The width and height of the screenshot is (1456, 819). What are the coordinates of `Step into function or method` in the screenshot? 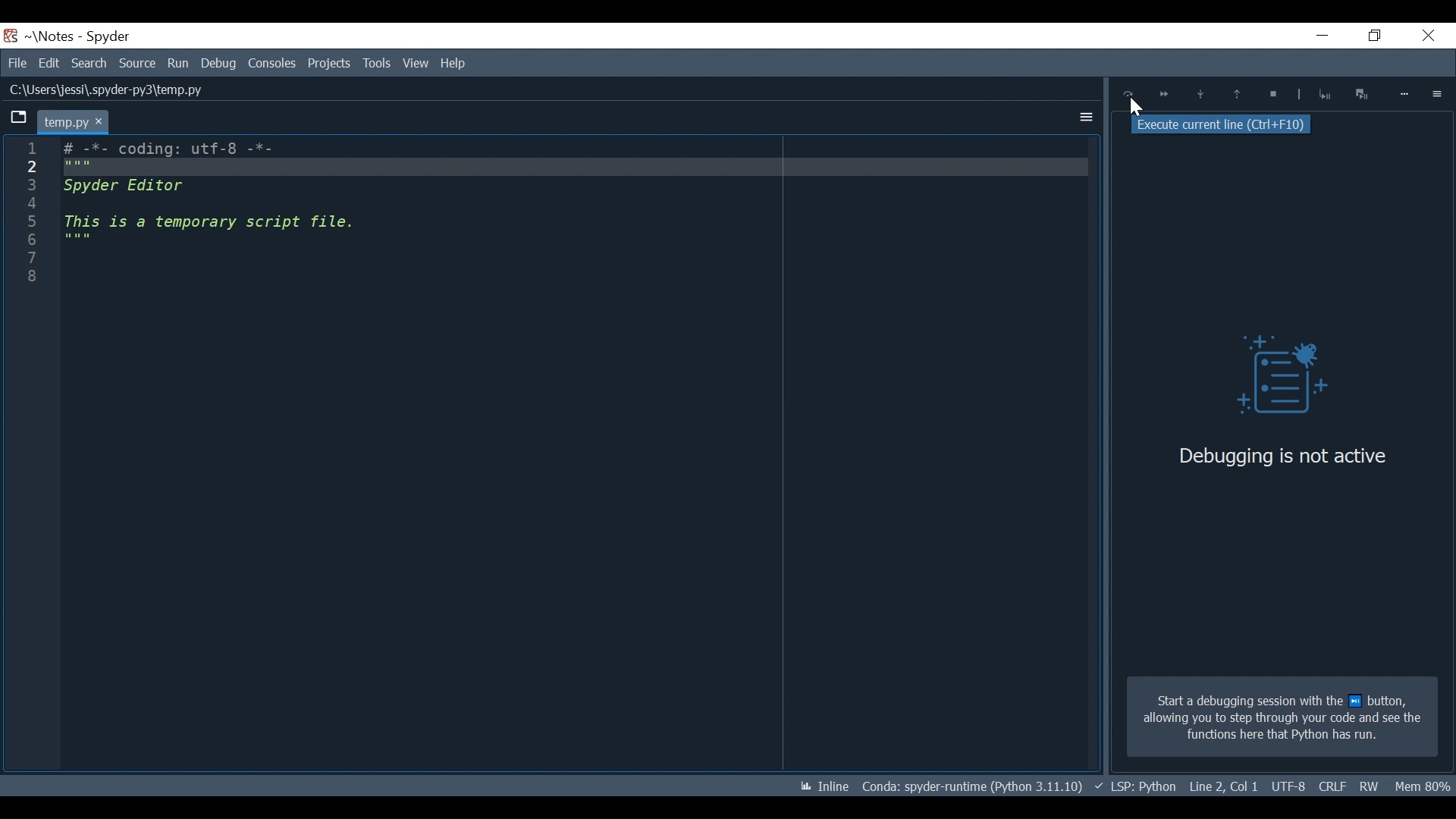 It's located at (1200, 96).